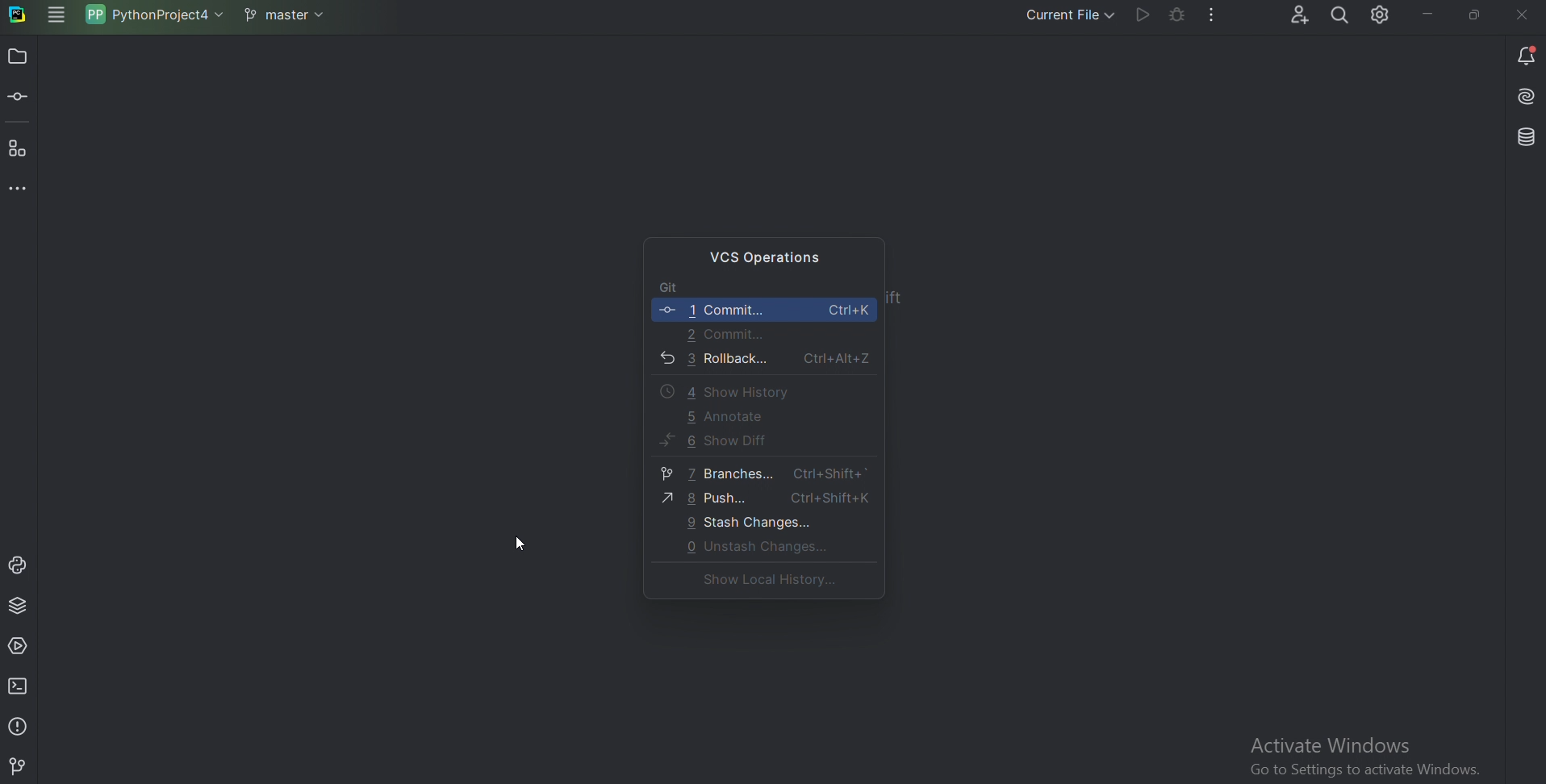  Describe the element at coordinates (54, 17) in the screenshot. I see `main menu` at that location.